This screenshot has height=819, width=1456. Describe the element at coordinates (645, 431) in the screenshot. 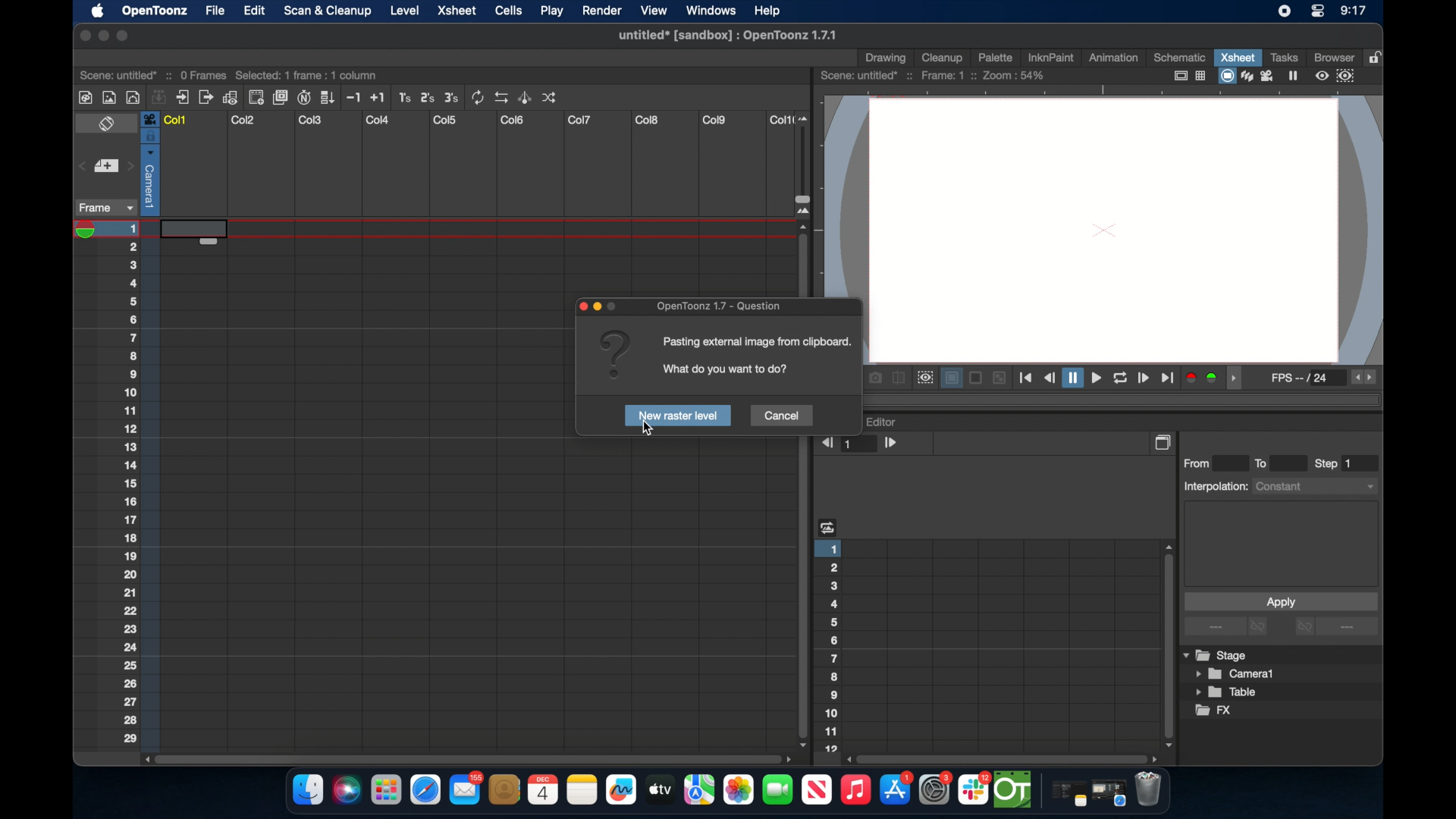

I see `cursor` at that location.